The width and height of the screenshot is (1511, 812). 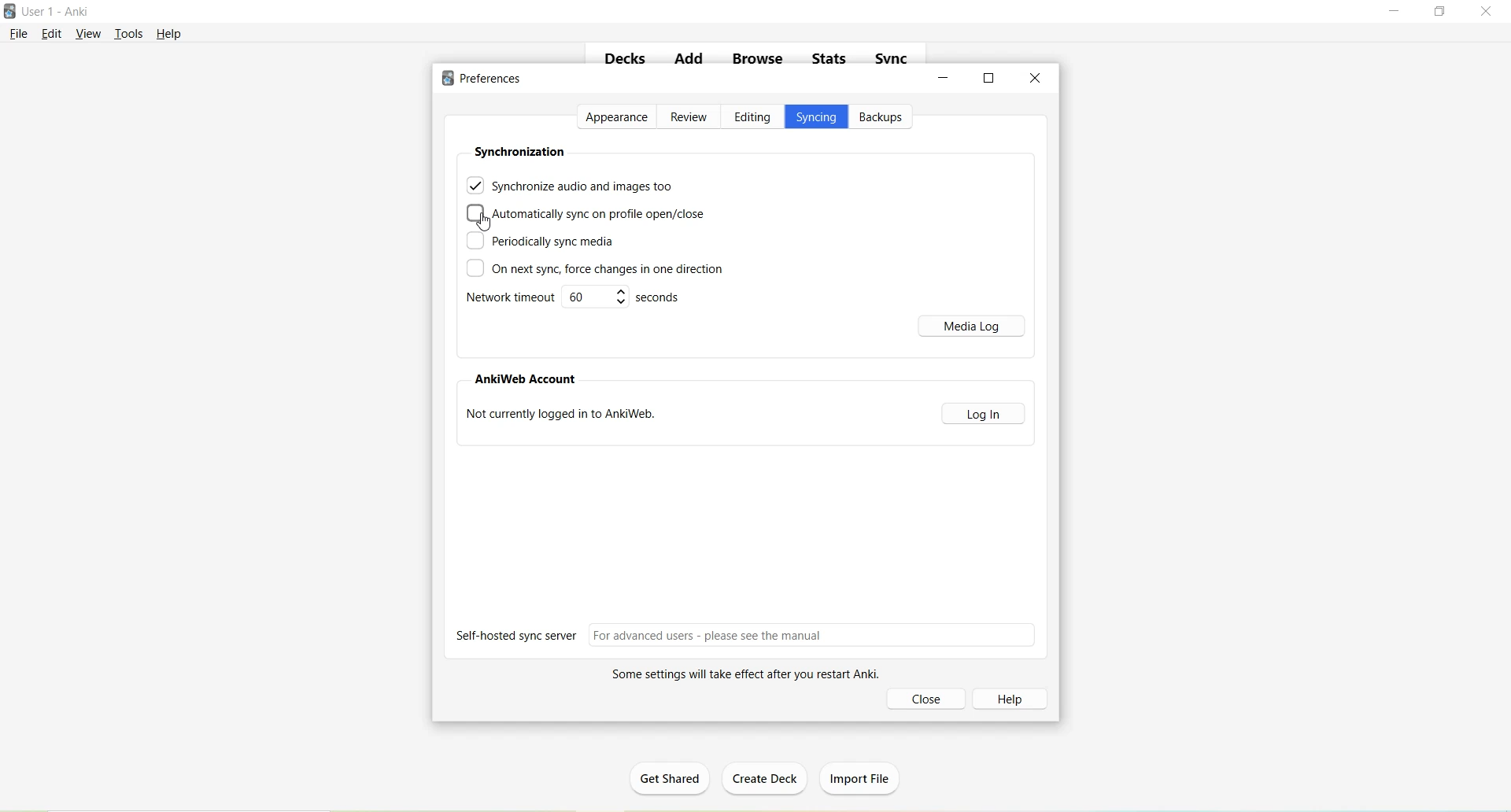 I want to click on Close, so click(x=929, y=699).